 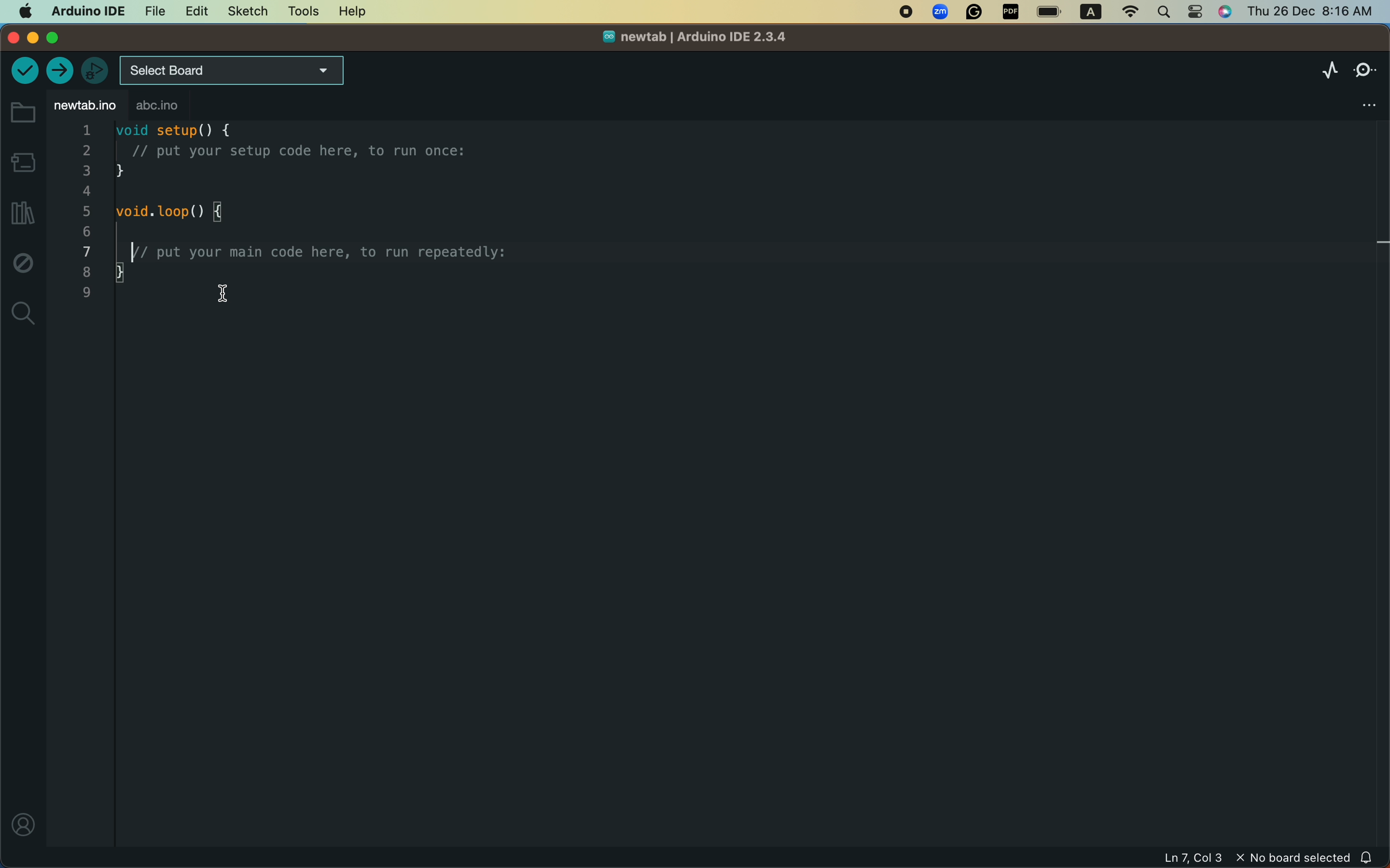 I want to click on notification, so click(x=1374, y=857).